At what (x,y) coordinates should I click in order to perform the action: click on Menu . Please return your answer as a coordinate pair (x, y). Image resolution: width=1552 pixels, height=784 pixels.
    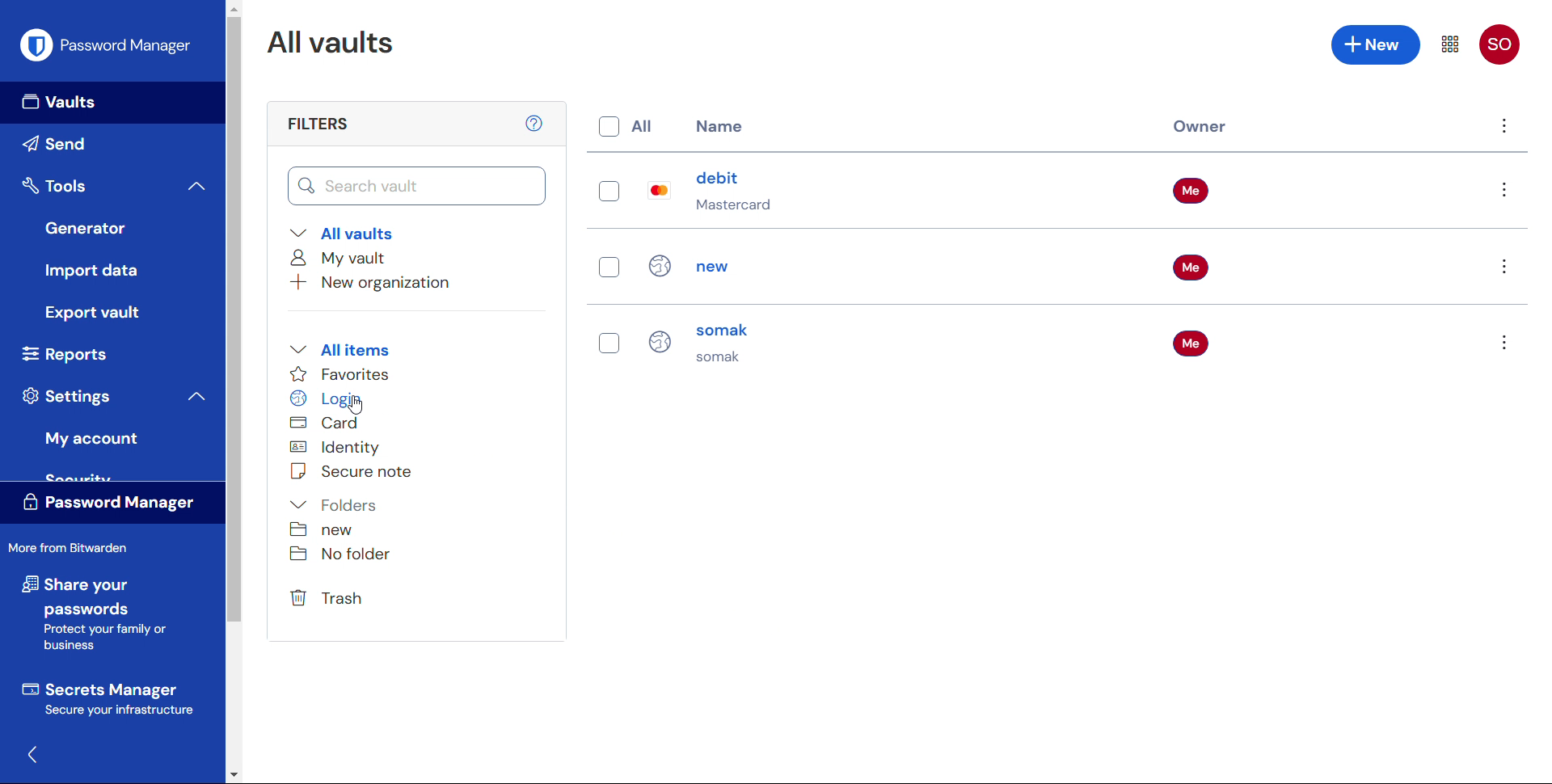
    Looking at the image, I should click on (1452, 45).